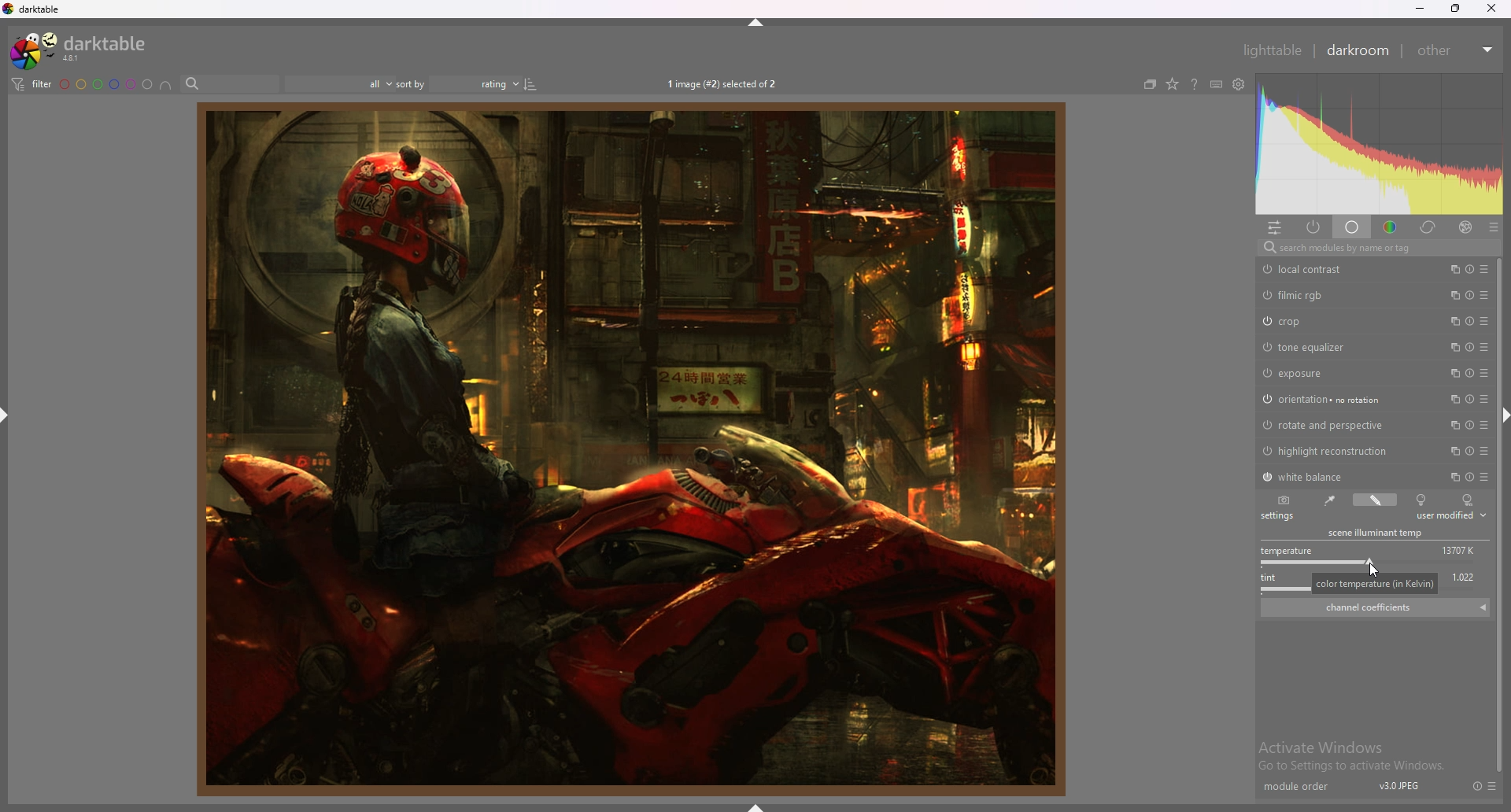 The width and height of the screenshot is (1511, 812). I want to click on camera reference point, so click(1421, 500).